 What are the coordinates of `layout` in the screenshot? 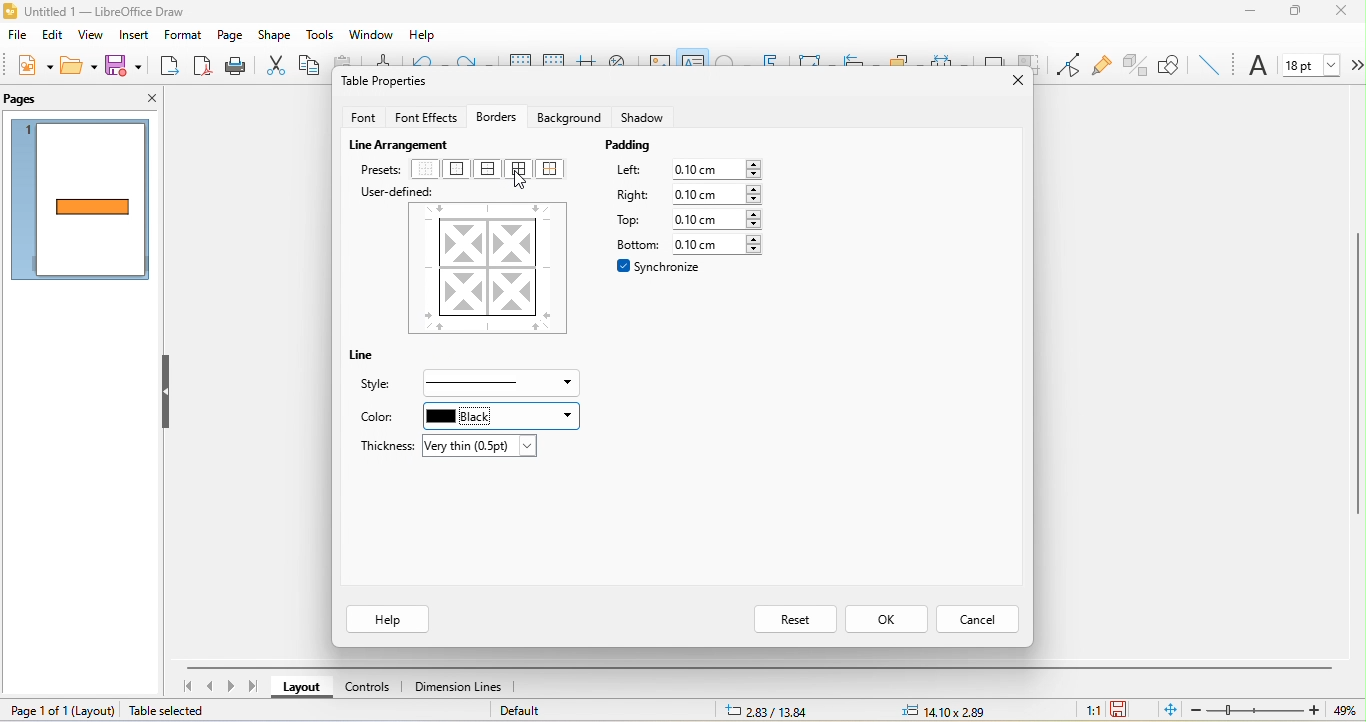 It's located at (302, 687).